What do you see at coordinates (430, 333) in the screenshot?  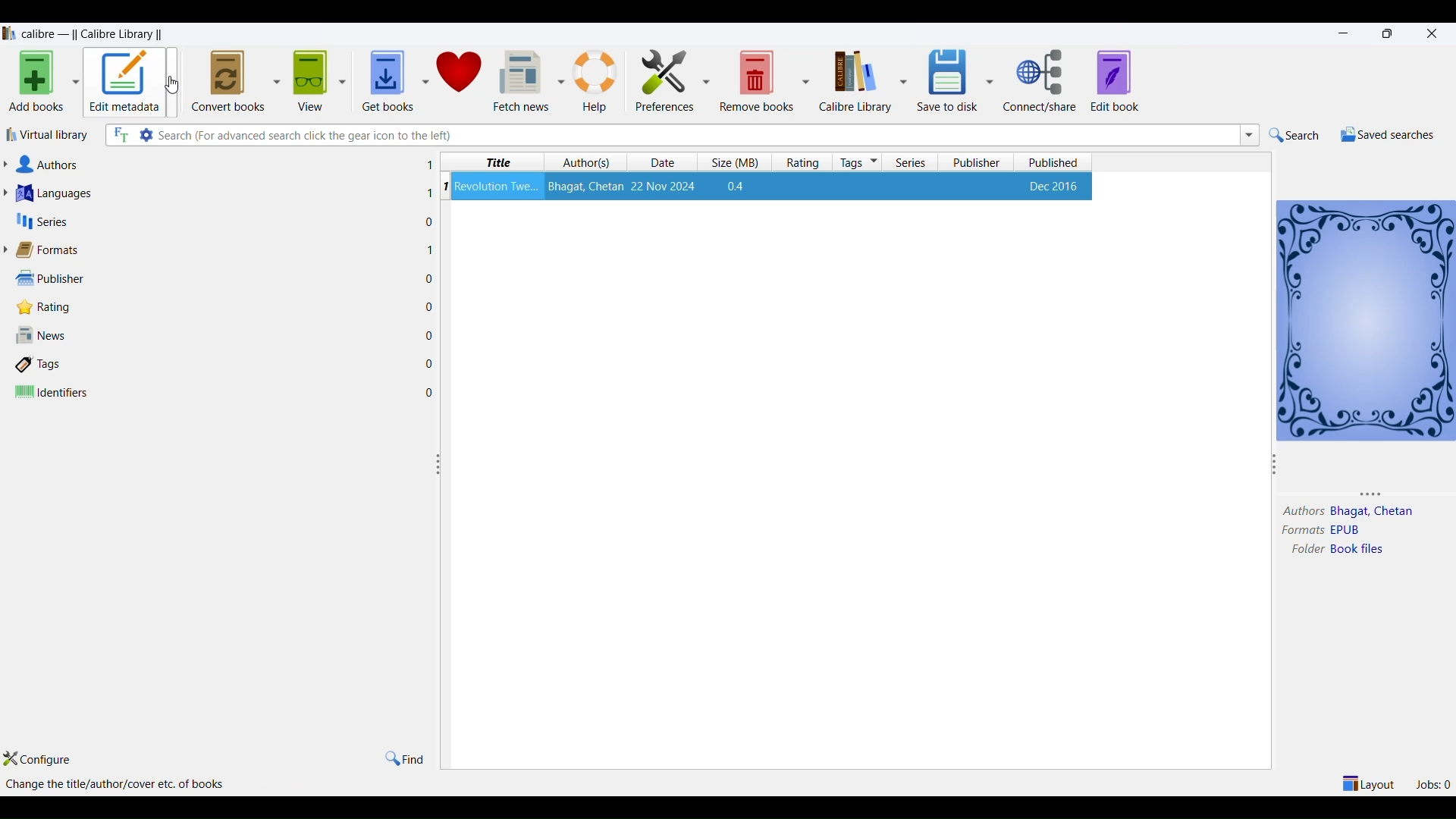 I see `0` at bounding box center [430, 333].